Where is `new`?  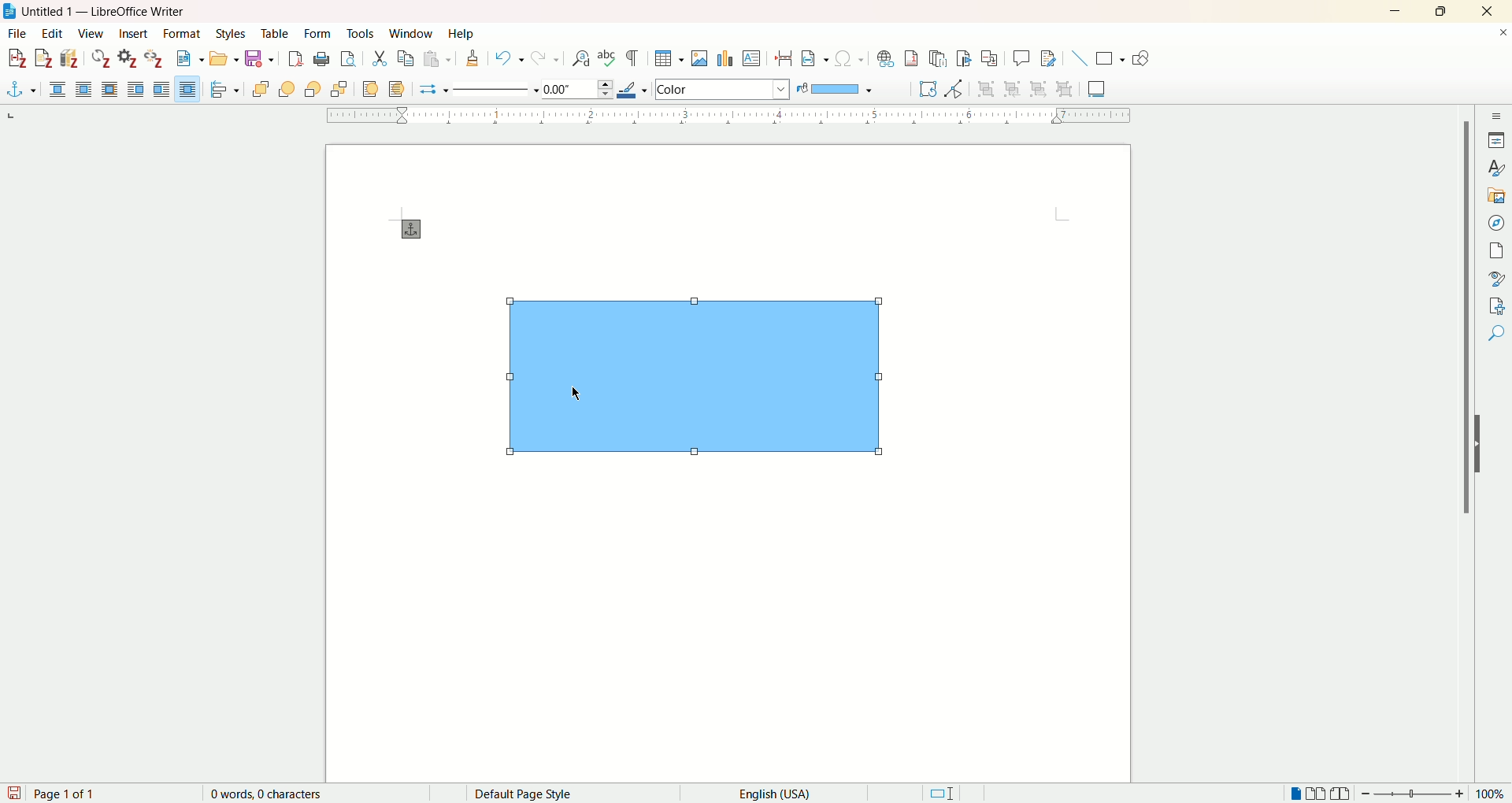
new is located at coordinates (187, 60).